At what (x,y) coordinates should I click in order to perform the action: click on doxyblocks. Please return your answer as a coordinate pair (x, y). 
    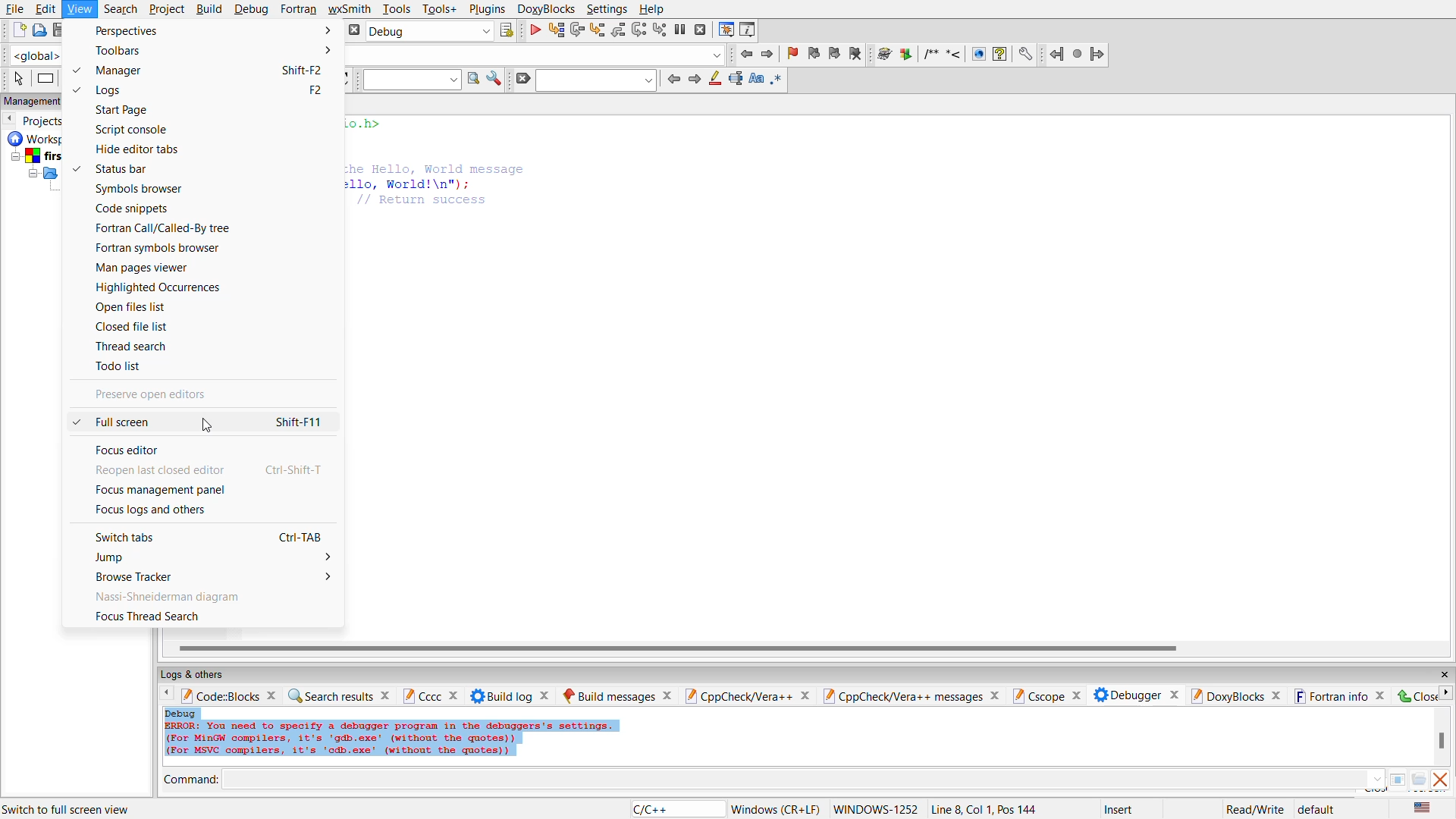
    Looking at the image, I should click on (952, 54).